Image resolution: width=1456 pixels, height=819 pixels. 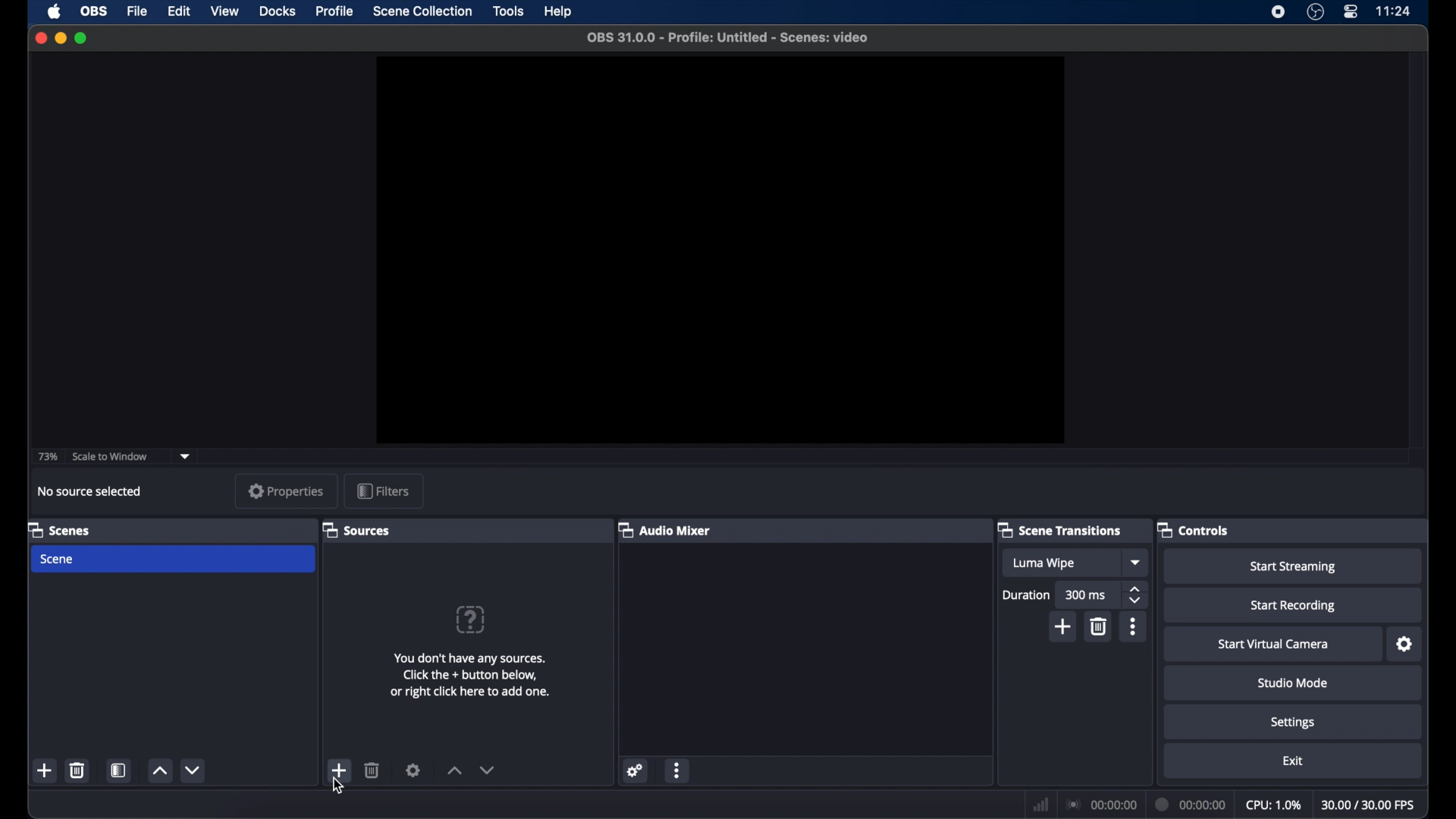 I want to click on add, so click(x=337, y=770).